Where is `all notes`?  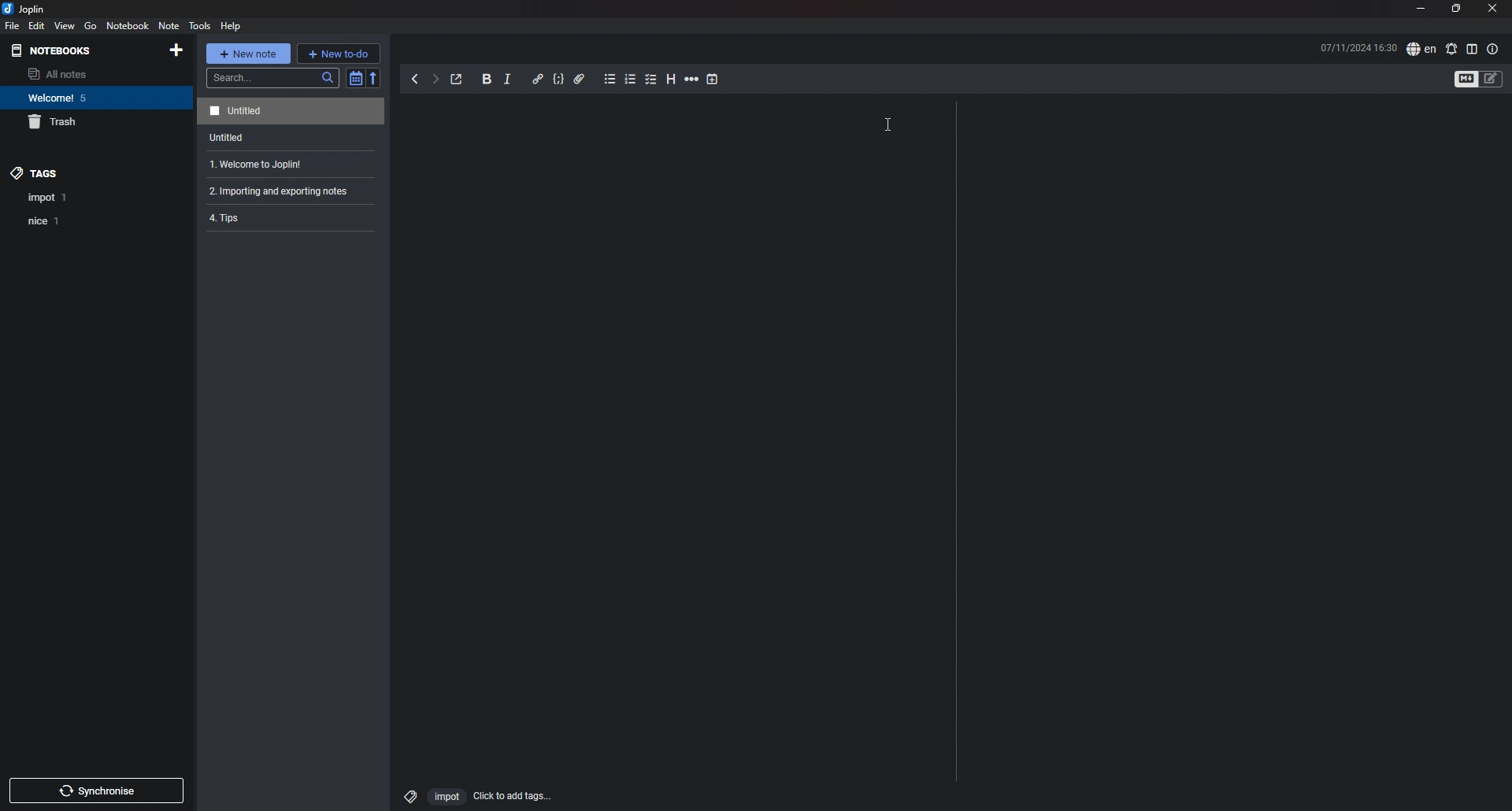 all notes is located at coordinates (76, 74).